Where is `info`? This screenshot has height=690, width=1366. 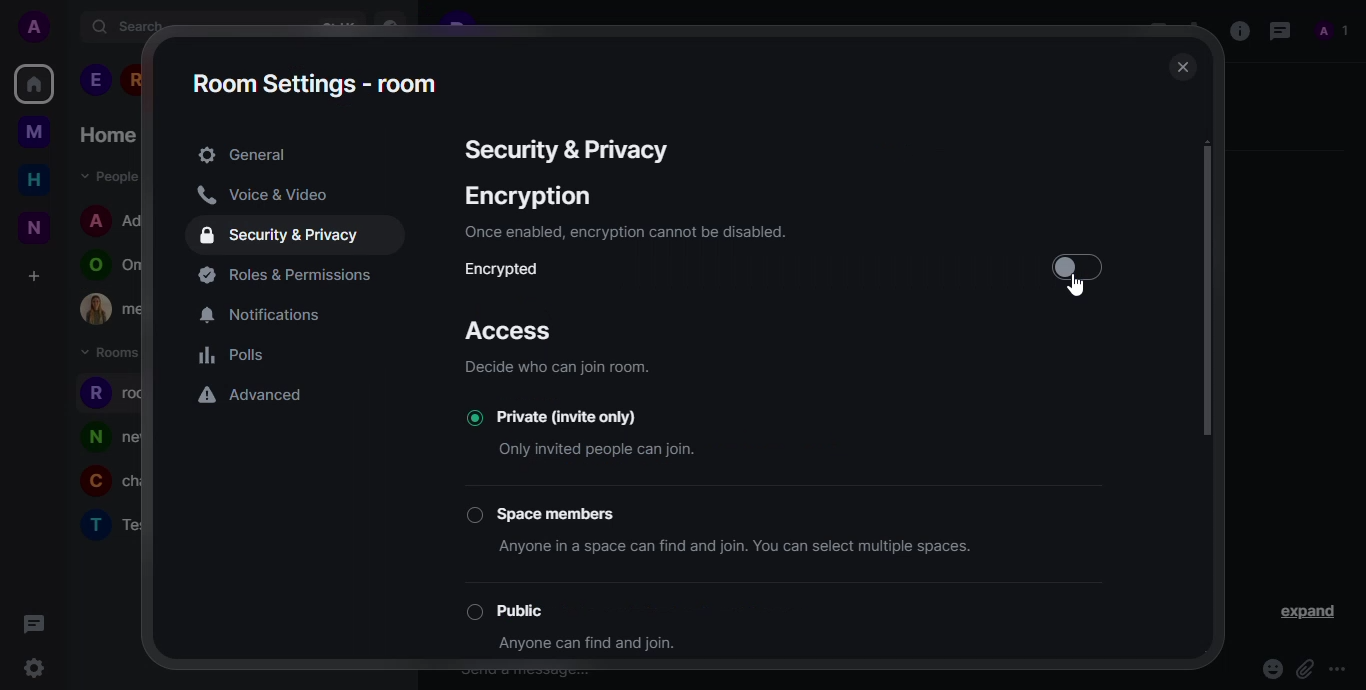 info is located at coordinates (556, 368).